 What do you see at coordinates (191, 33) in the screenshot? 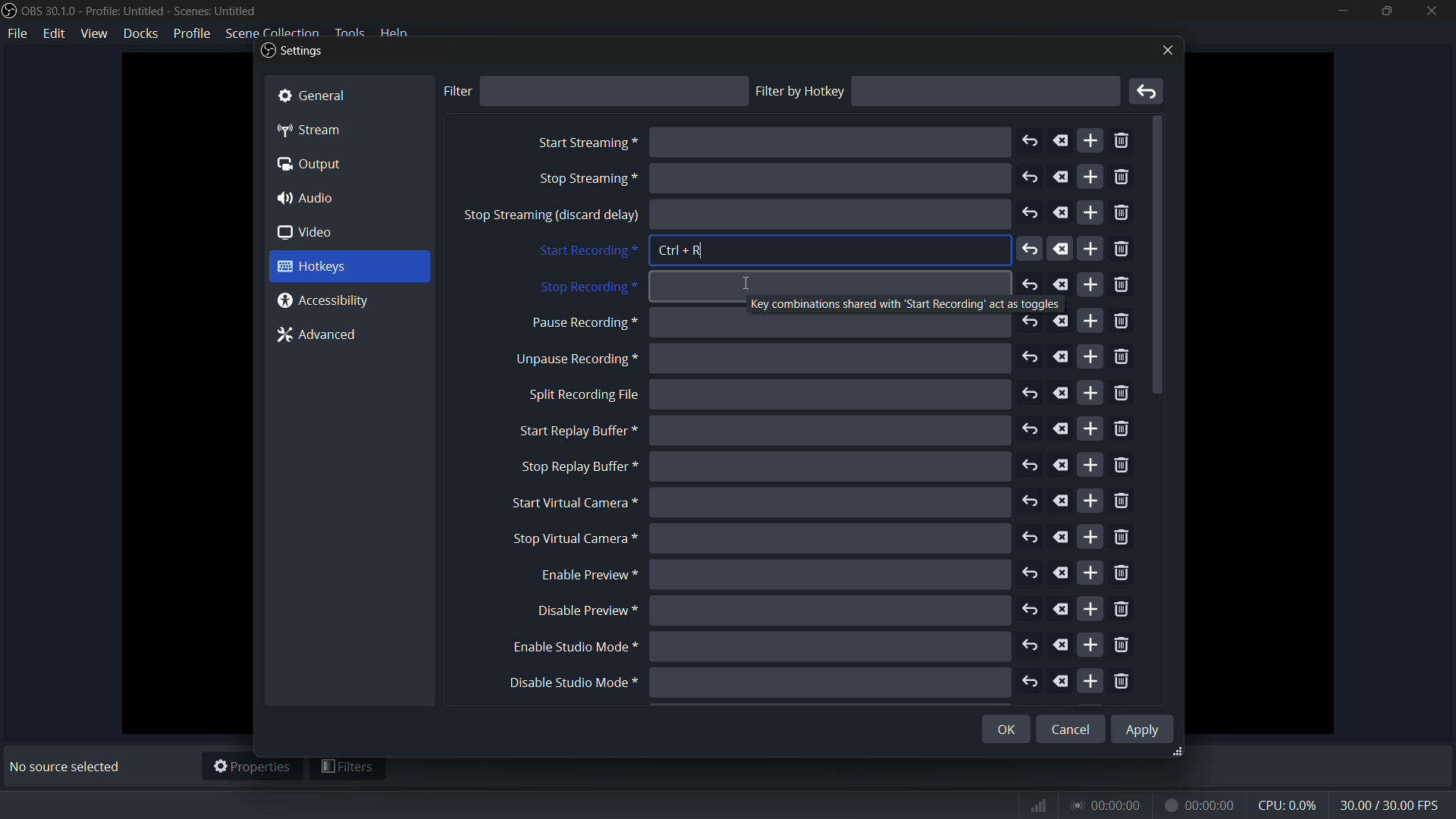
I see `profile menu` at bounding box center [191, 33].